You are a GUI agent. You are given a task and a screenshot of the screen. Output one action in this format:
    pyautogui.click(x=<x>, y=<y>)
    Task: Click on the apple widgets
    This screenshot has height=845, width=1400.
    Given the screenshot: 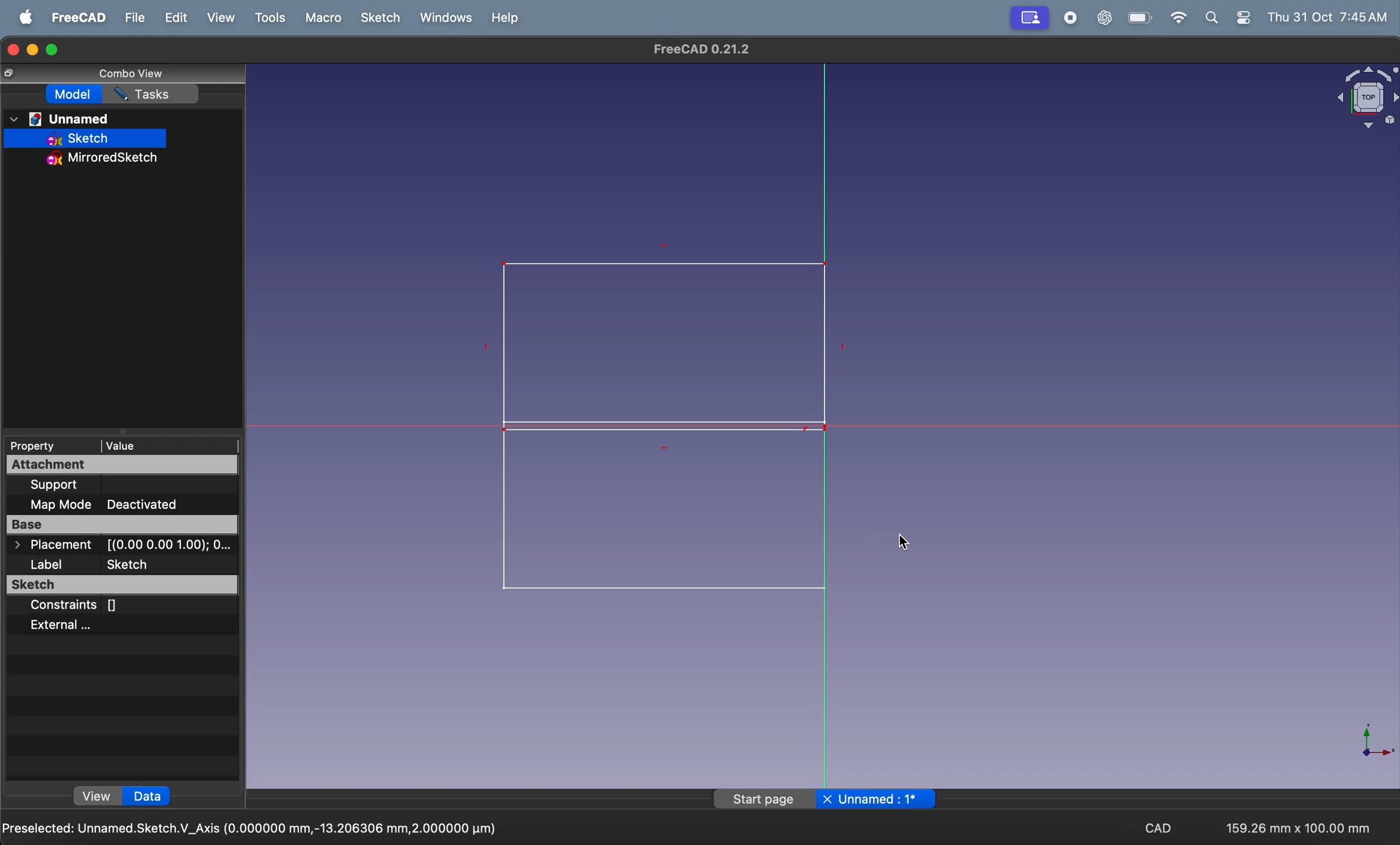 What is the action you would take?
    pyautogui.click(x=1227, y=19)
    